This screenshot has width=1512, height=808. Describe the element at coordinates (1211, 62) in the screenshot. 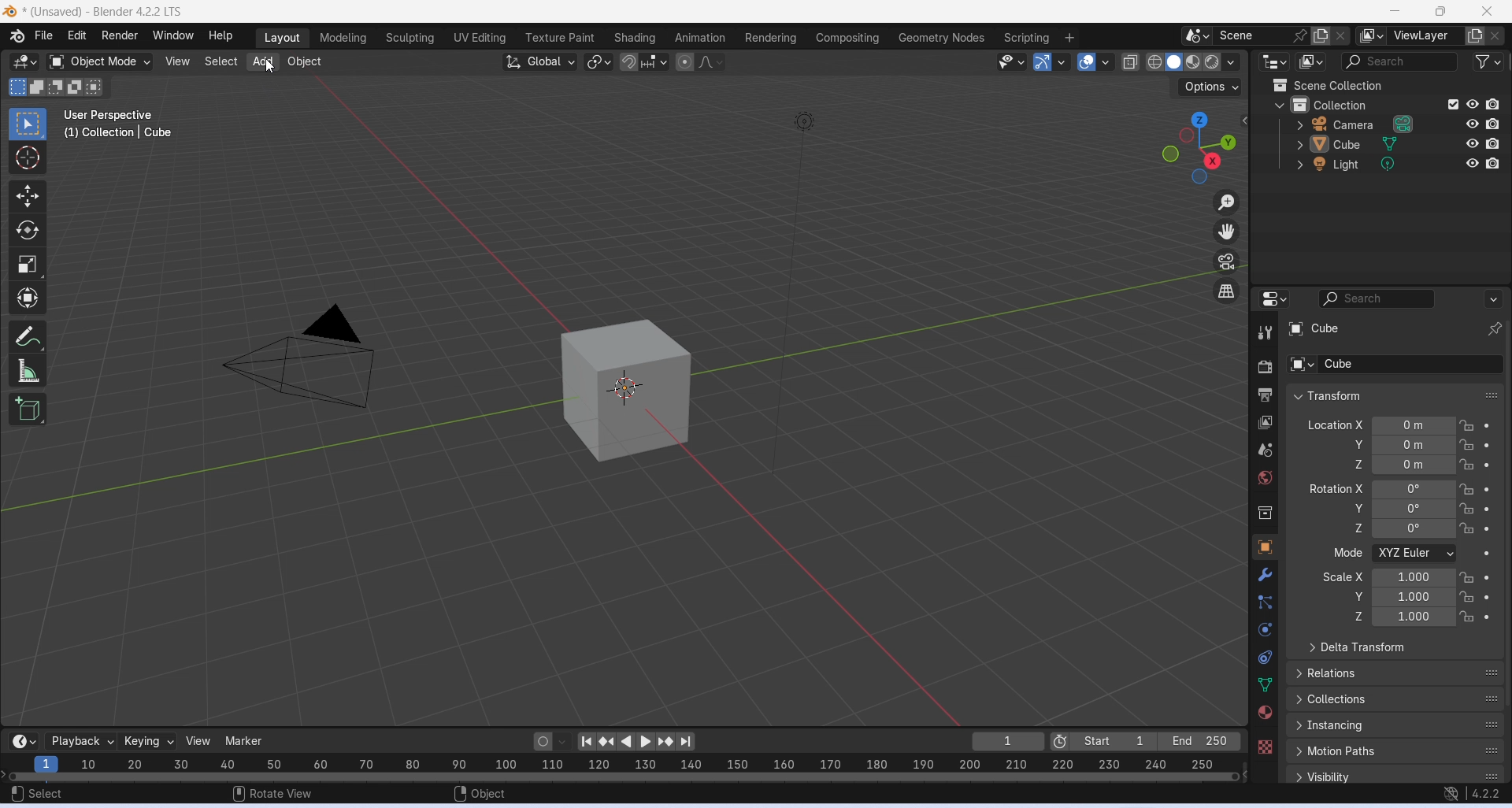

I see `rendered viewport shading` at that location.